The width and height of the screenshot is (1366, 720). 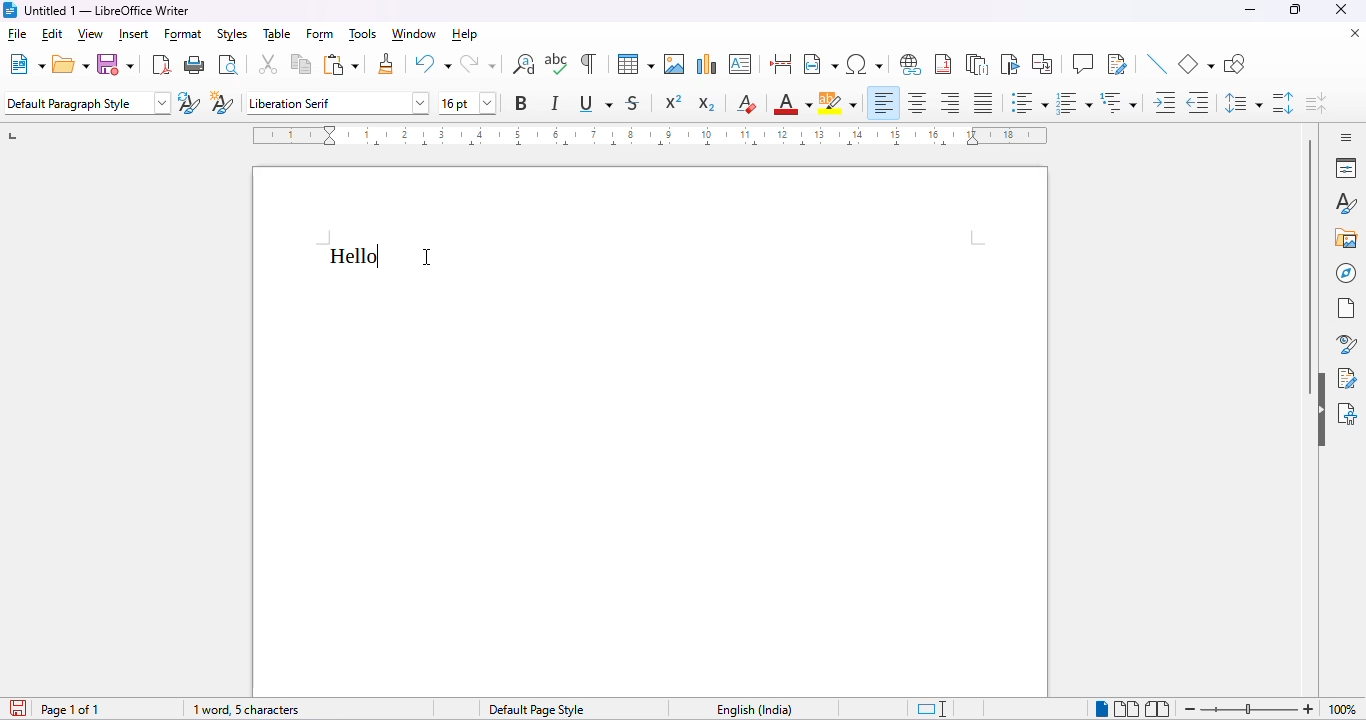 What do you see at coordinates (522, 103) in the screenshot?
I see `bold` at bounding box center [522, 103].